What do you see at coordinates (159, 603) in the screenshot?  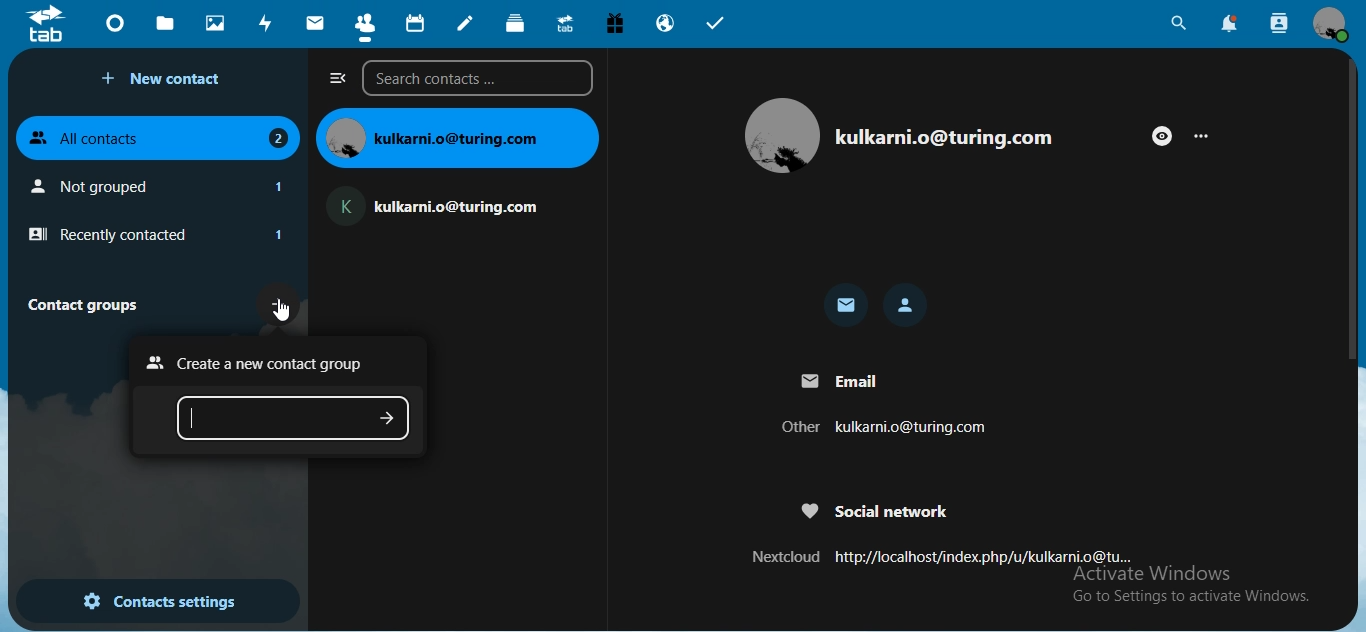 I see `contact settings` at bounding box center [159, 603].